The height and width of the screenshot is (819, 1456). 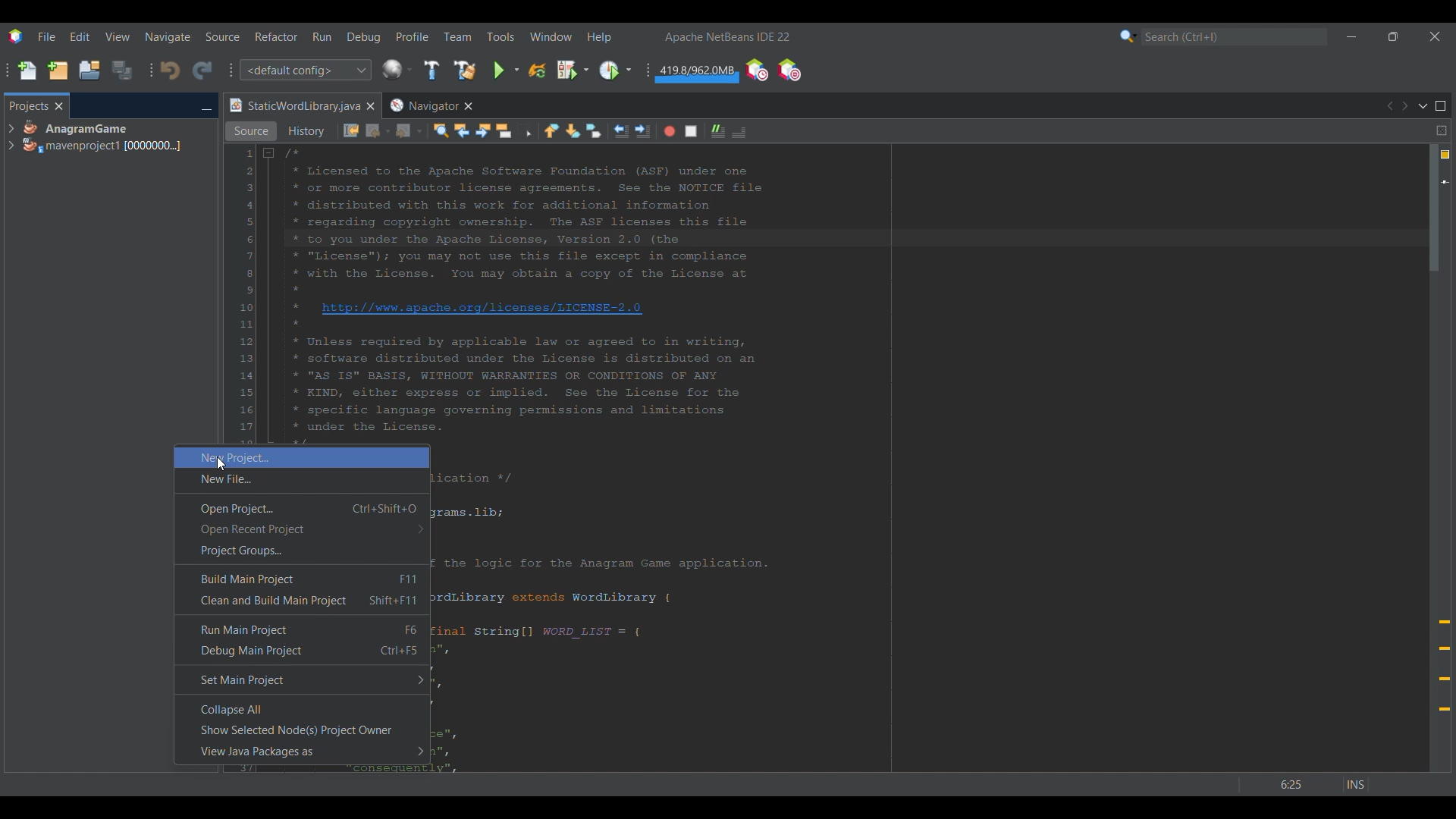 What do you see at coordinates (1351, 36) in the screenshot?
I see `Minimize` at bounding box center [1351, 36].